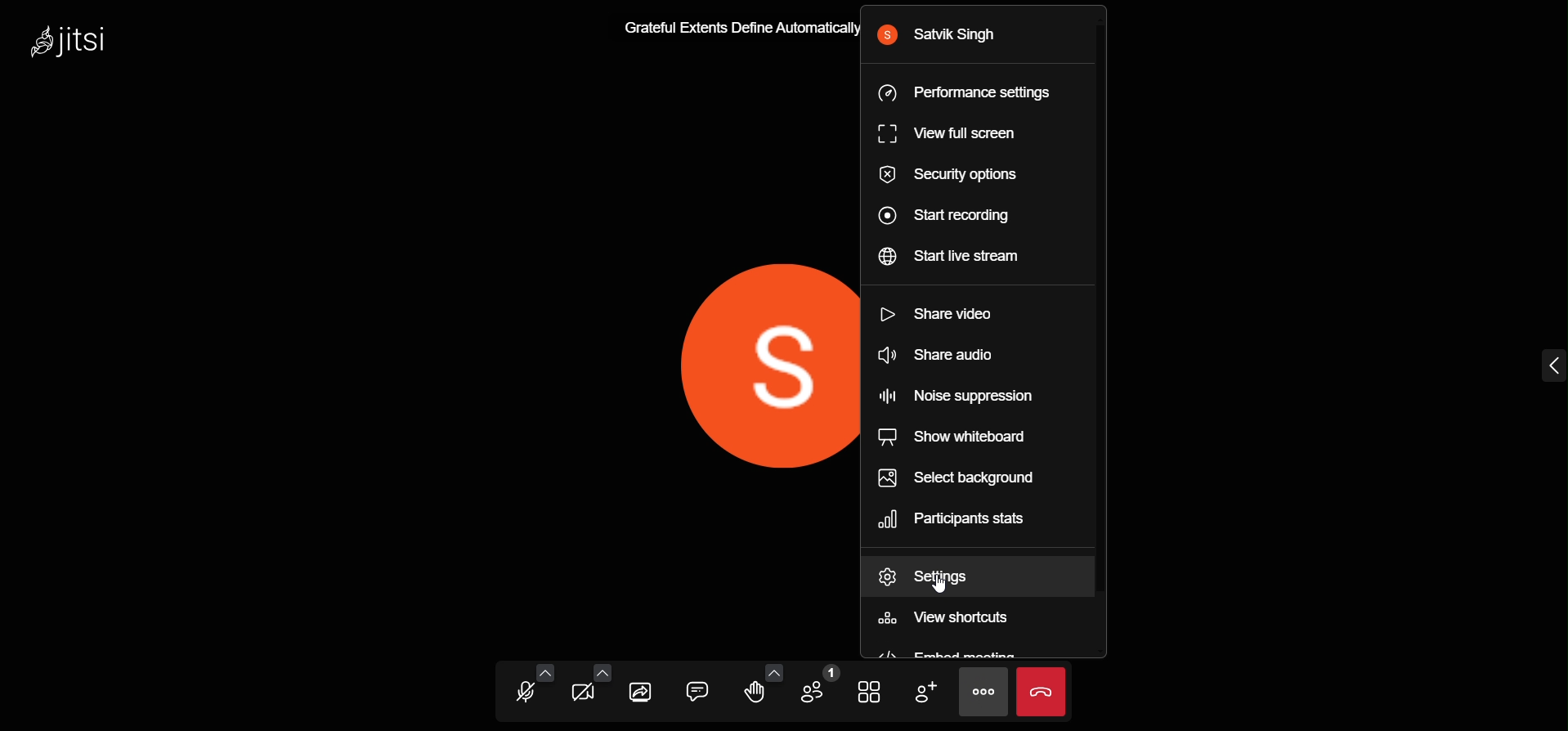 Image resolution: width=1568 pixels, height=731 pixels. I want to click on noise suppression, so click(961, 393).